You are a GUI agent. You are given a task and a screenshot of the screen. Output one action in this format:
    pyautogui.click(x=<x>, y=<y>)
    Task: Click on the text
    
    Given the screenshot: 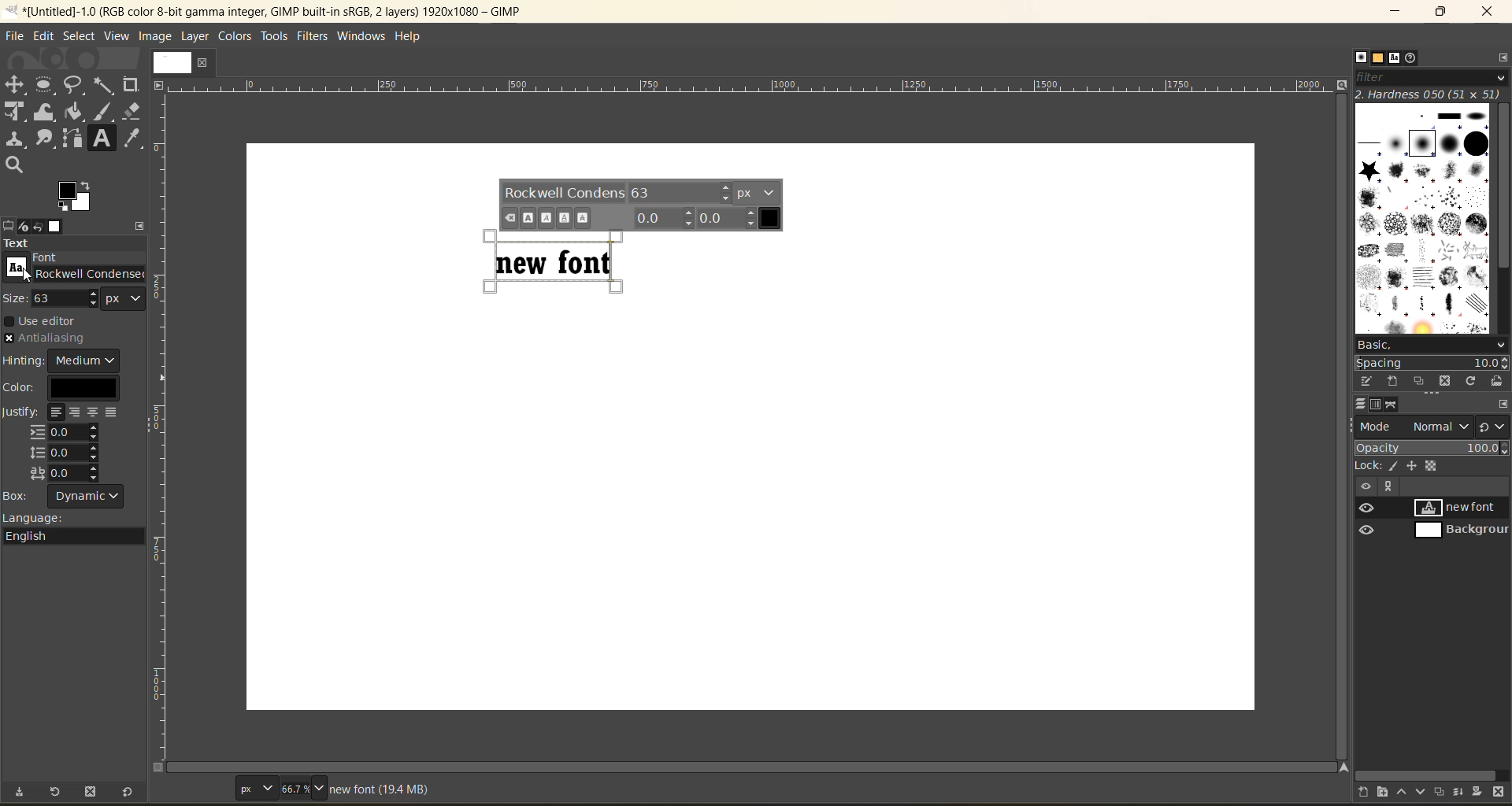 What is the action you would take?
    pyautogui.click(x=75, y=245)
    